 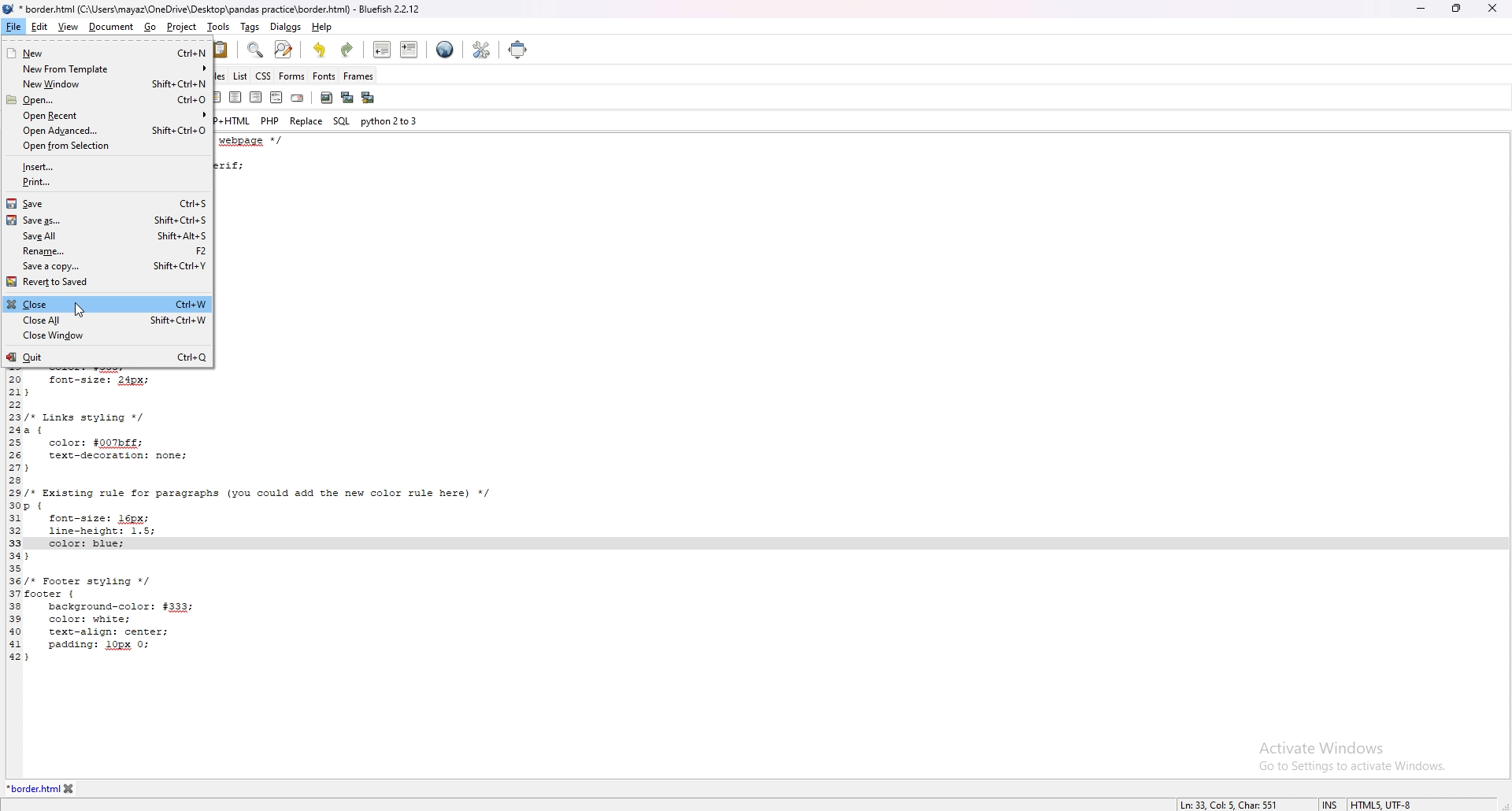 What do you see at coordinates (321, 49) in the screenshot?
I see `undo` at bounding box center [321, 49].